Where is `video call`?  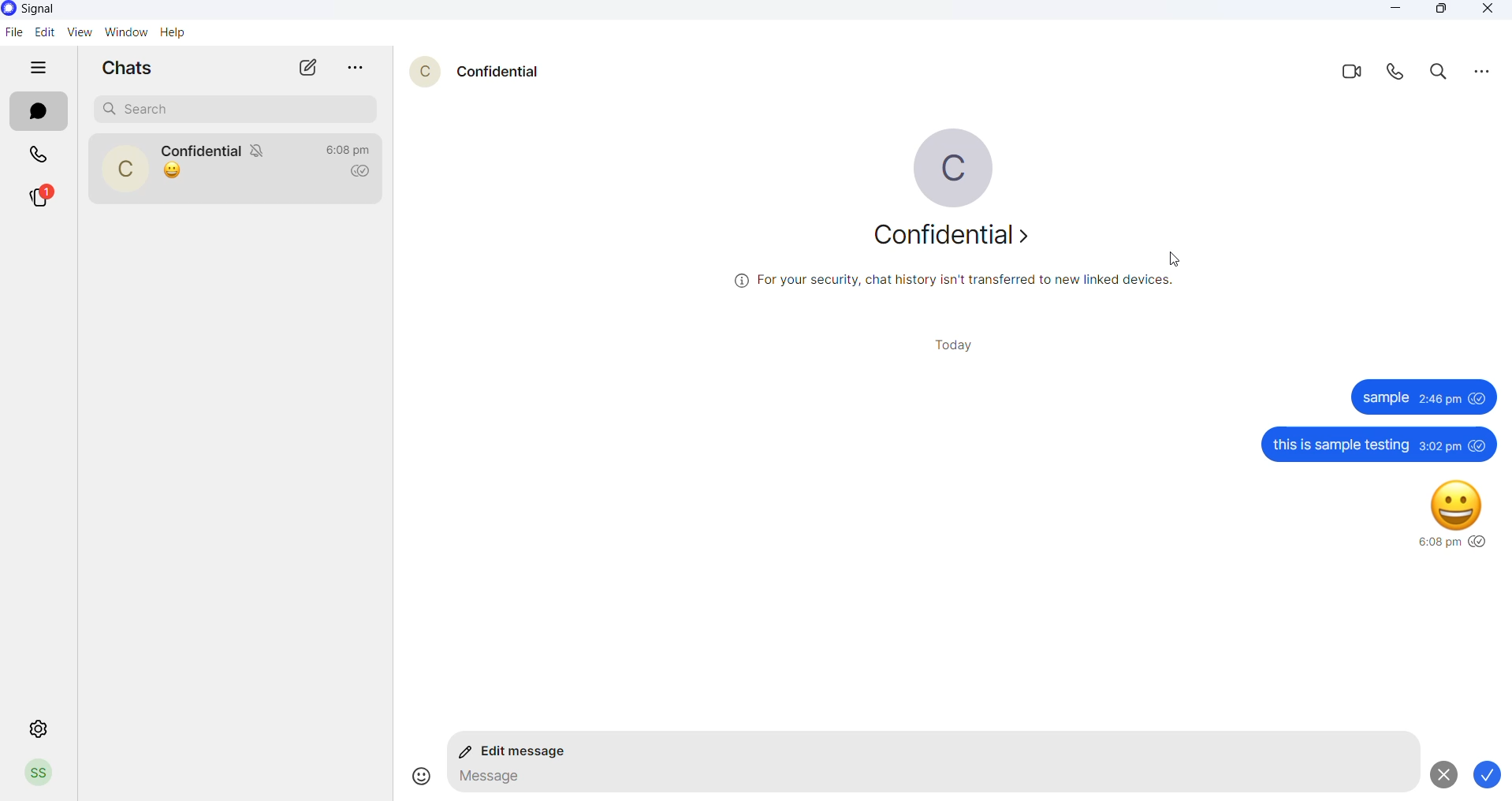 video call is located at coordinates (1343, 72).